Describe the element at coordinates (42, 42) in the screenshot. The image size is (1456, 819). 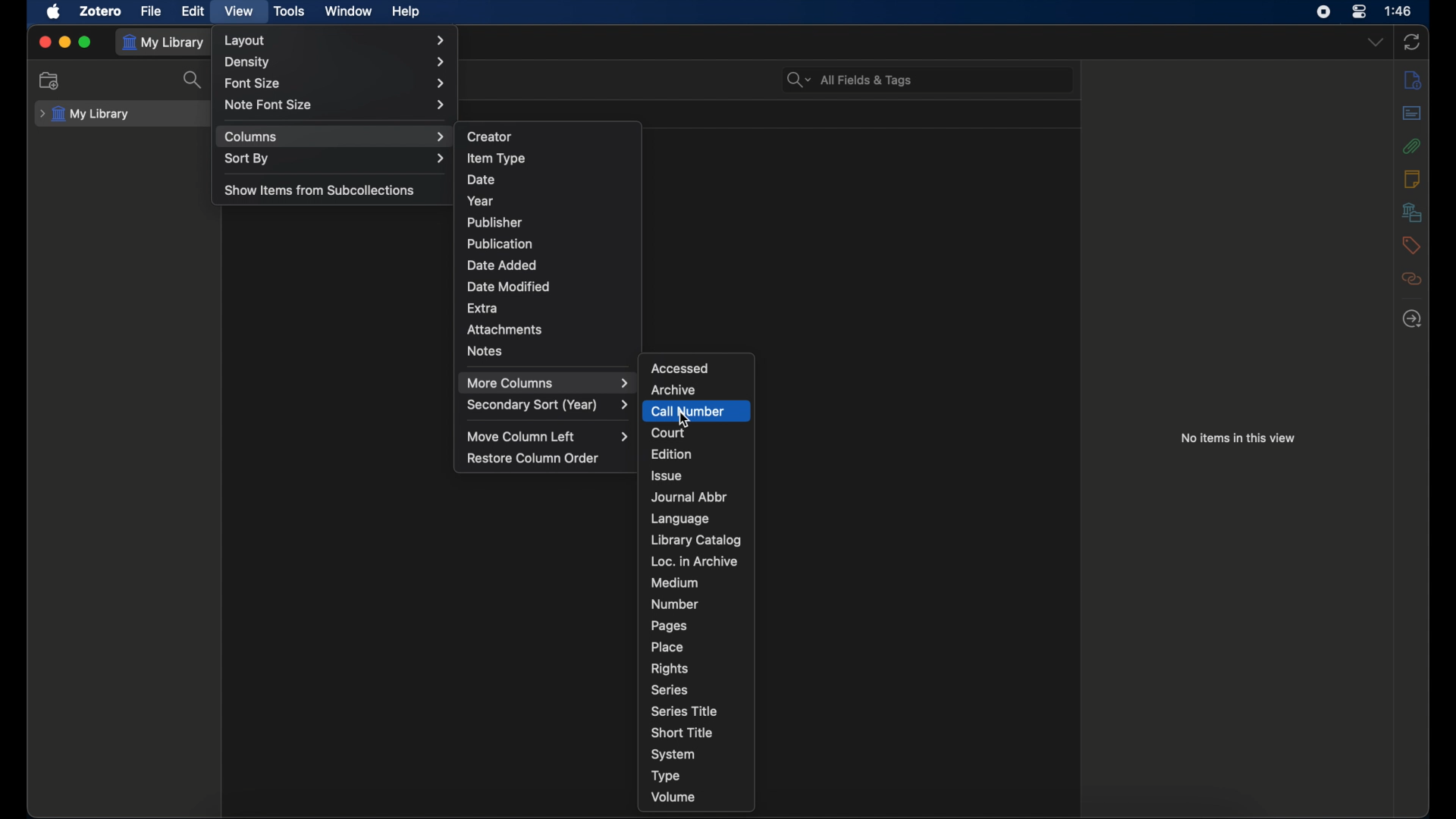
I see `close` at that location.